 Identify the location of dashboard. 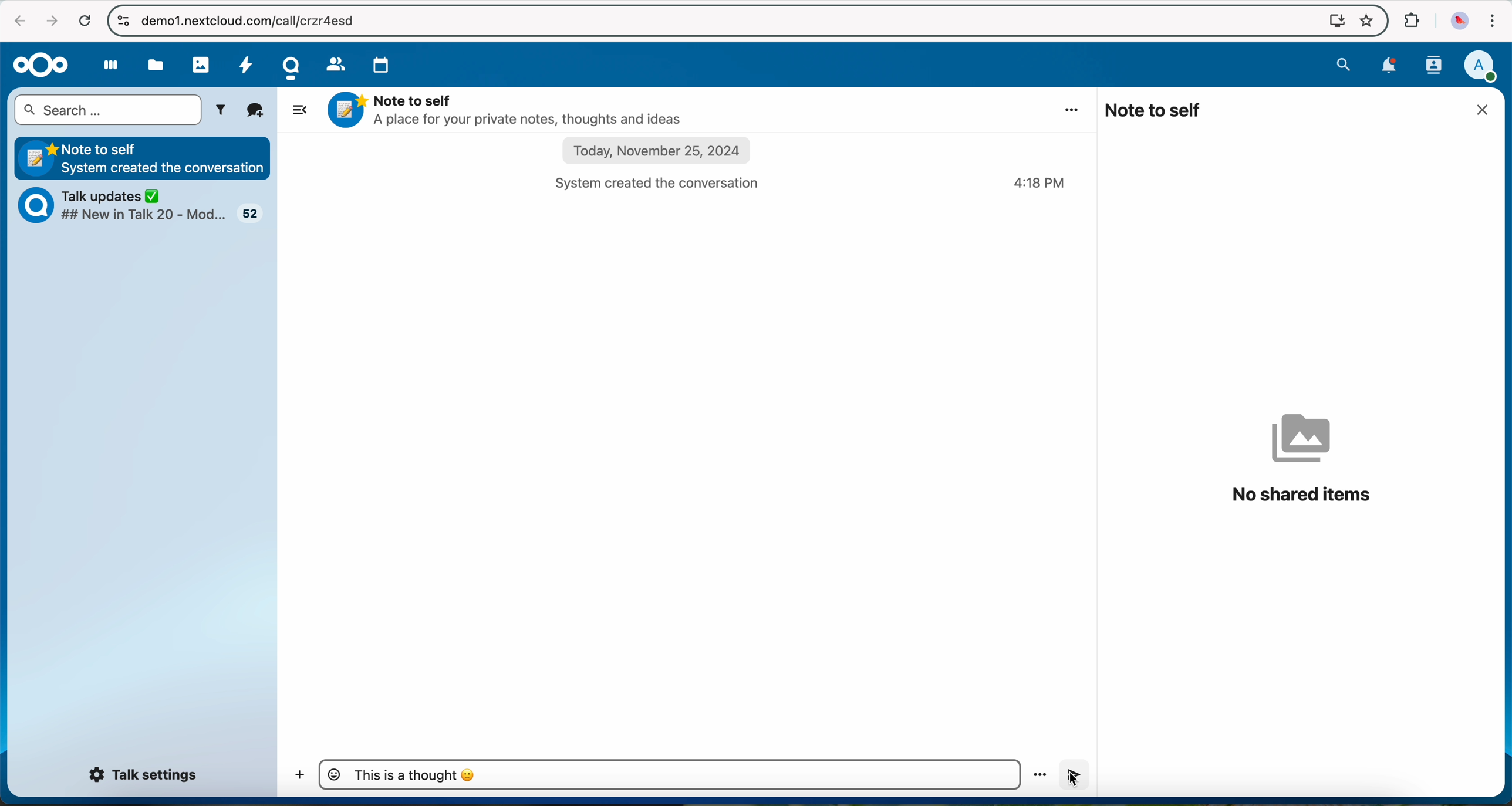
(105, 69).